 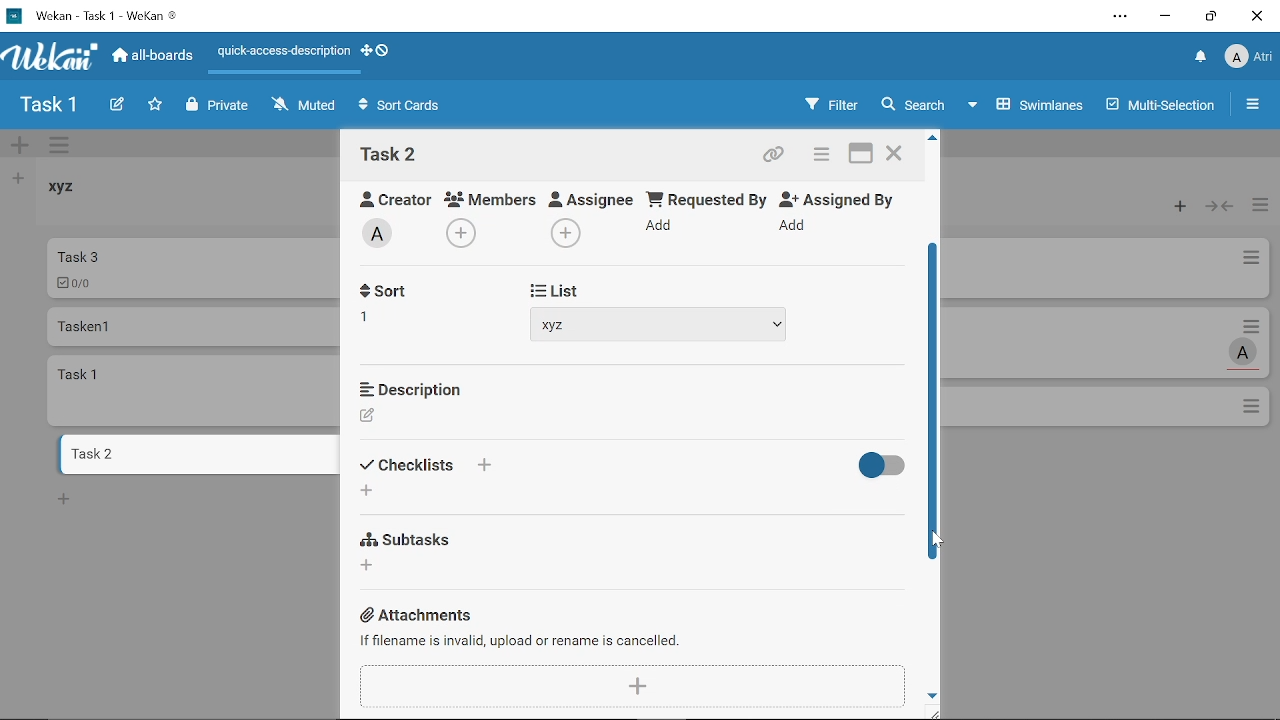 I want to click on Add, so click(x=796, y=226).